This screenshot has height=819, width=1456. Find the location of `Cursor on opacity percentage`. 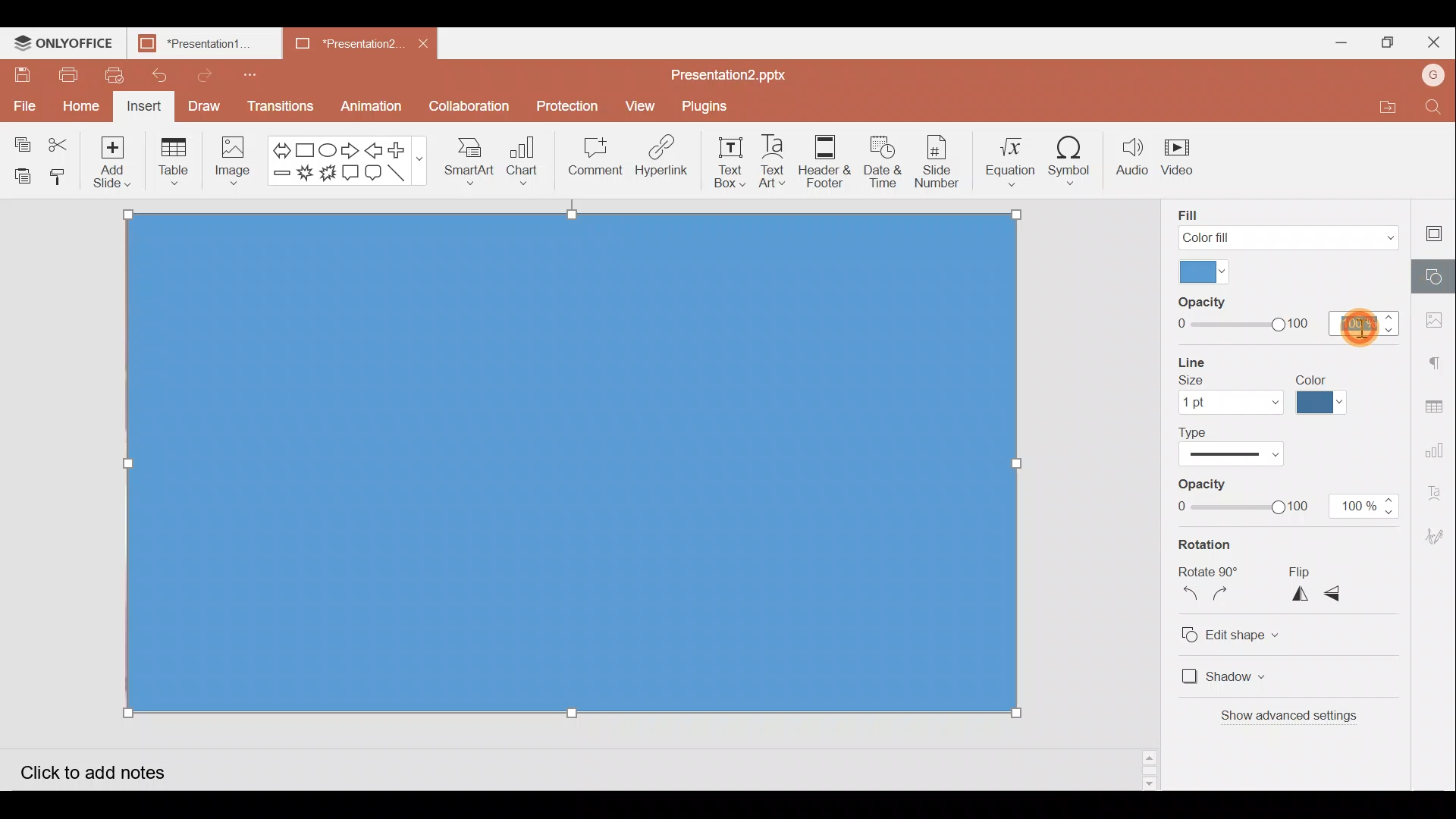

Cursor on opacity percentage is located at coordinates (1362, 333).